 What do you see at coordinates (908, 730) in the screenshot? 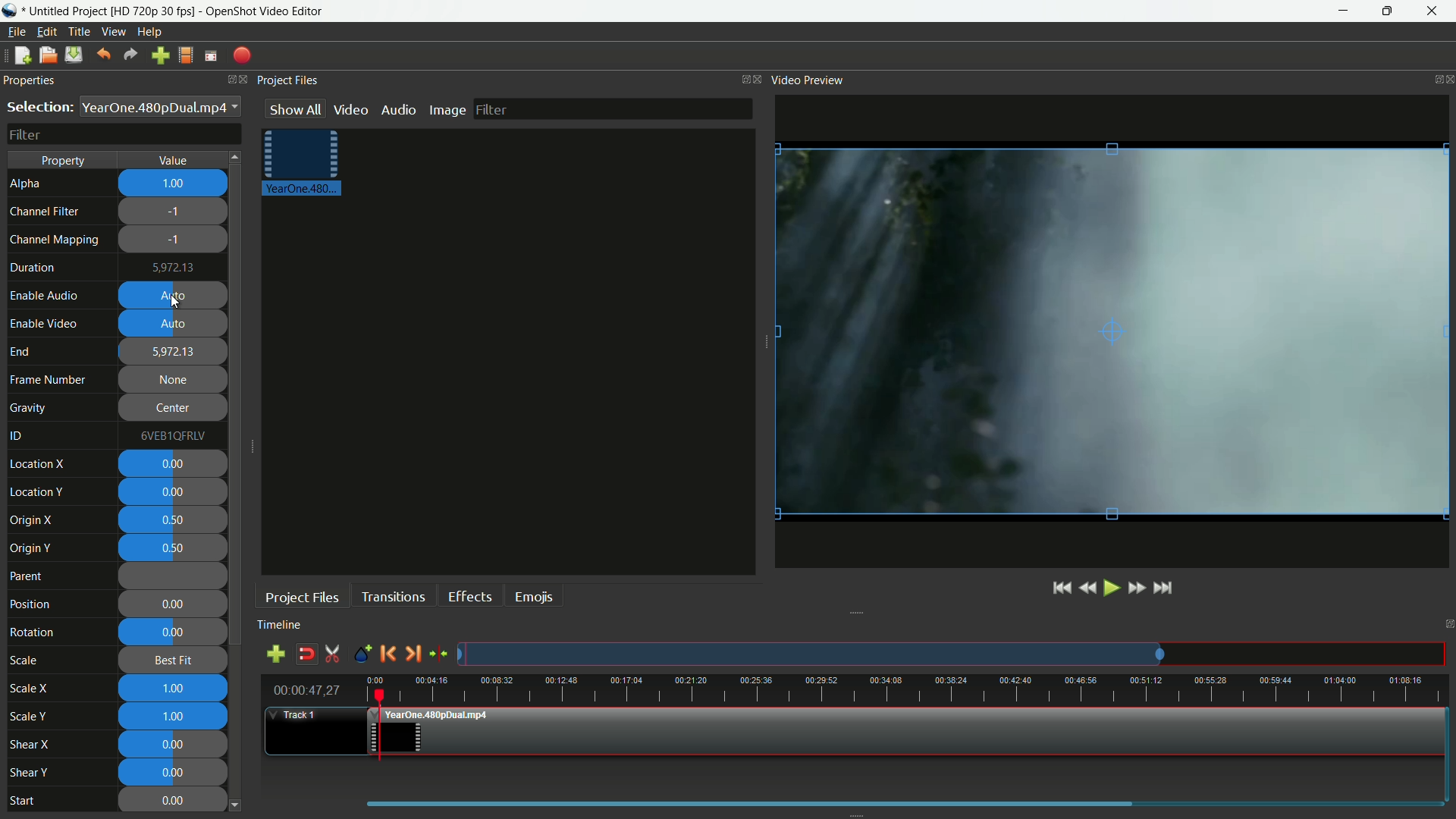
I see `video in timeline` at bounding box center [908, 730].